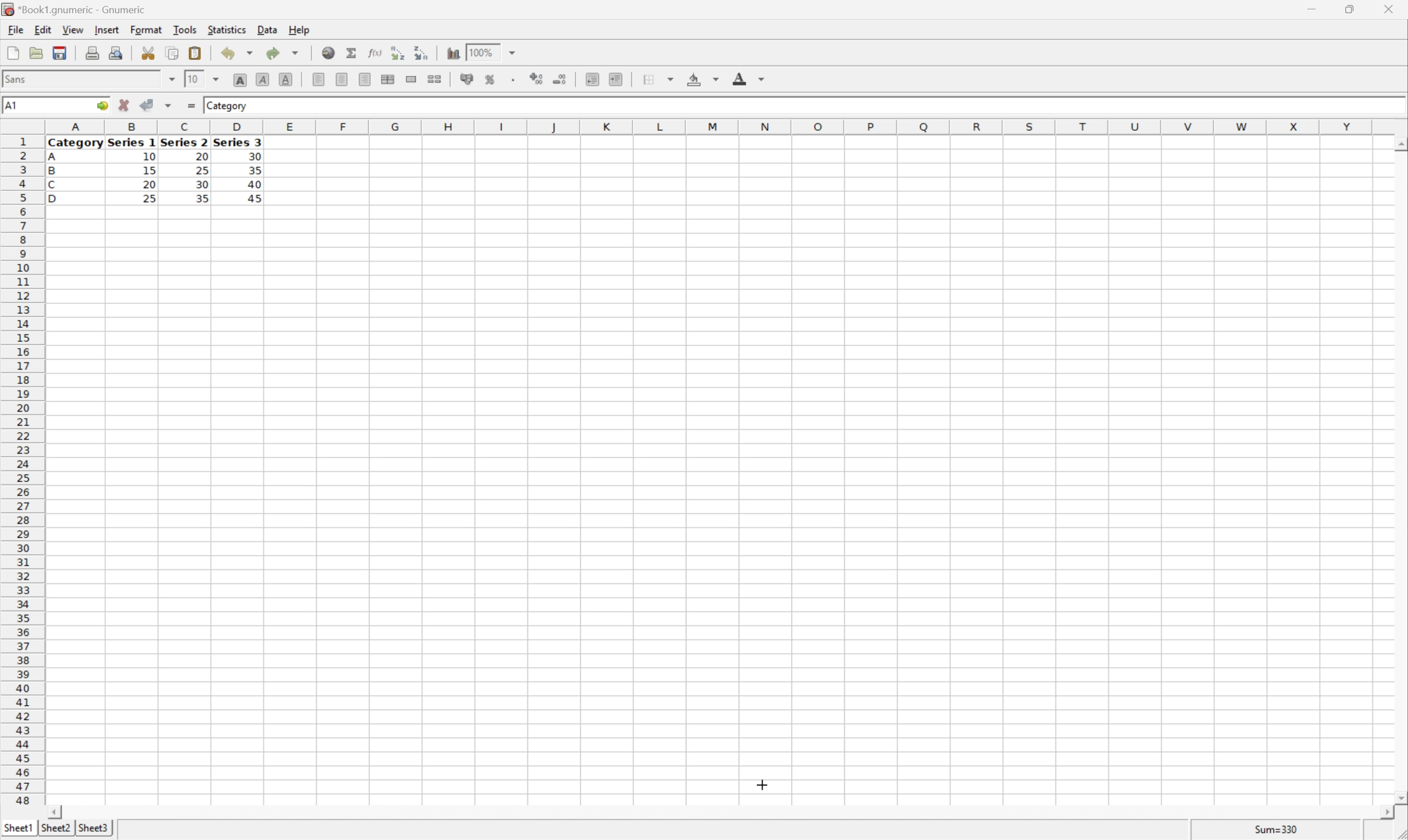 Image resolution: width=1408 pixels, height=840 pixels. I want to click on Drop Down, so click(514, 52).